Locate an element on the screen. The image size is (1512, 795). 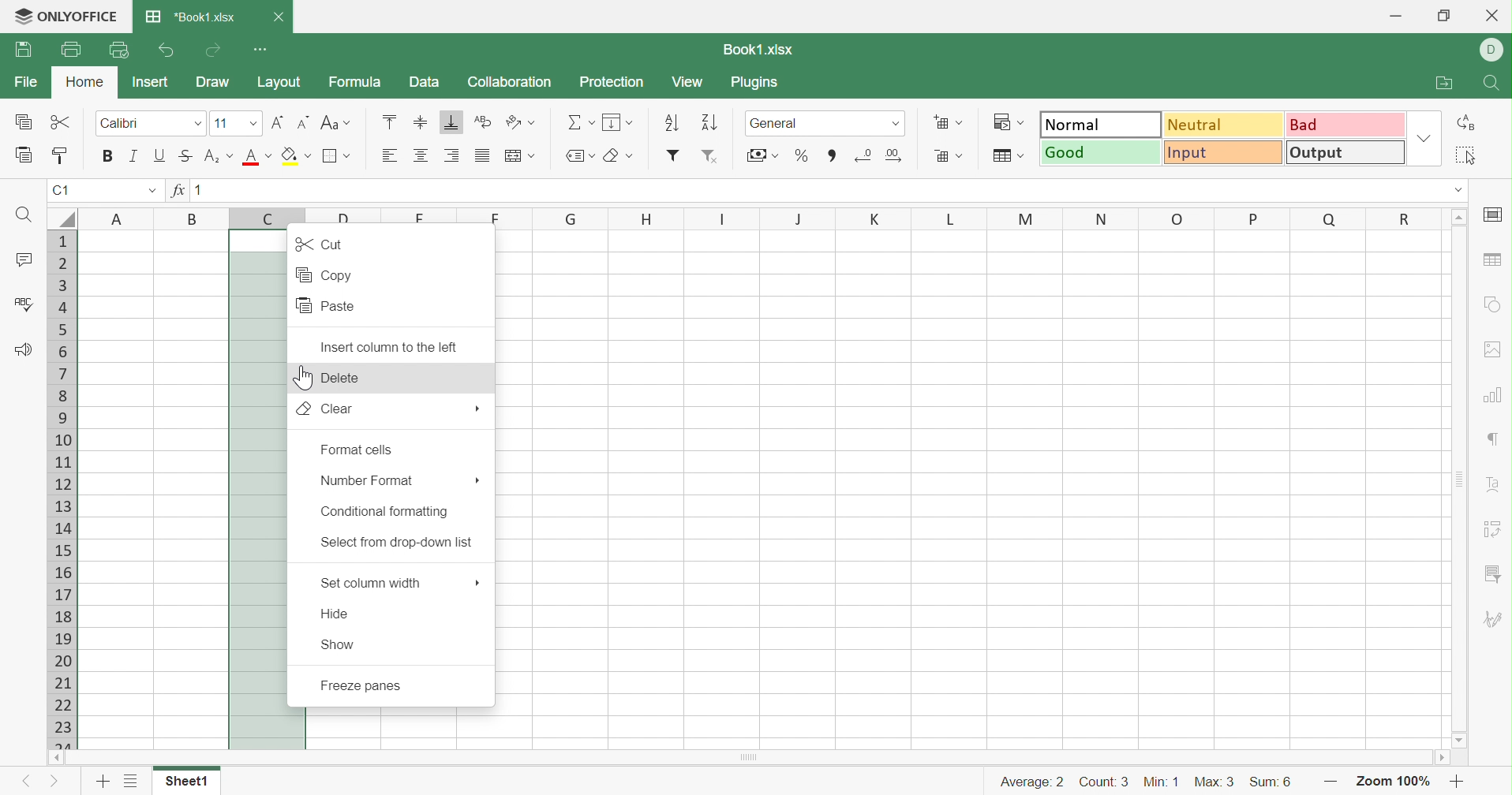
DELL is located at coordinates (1491, 50).